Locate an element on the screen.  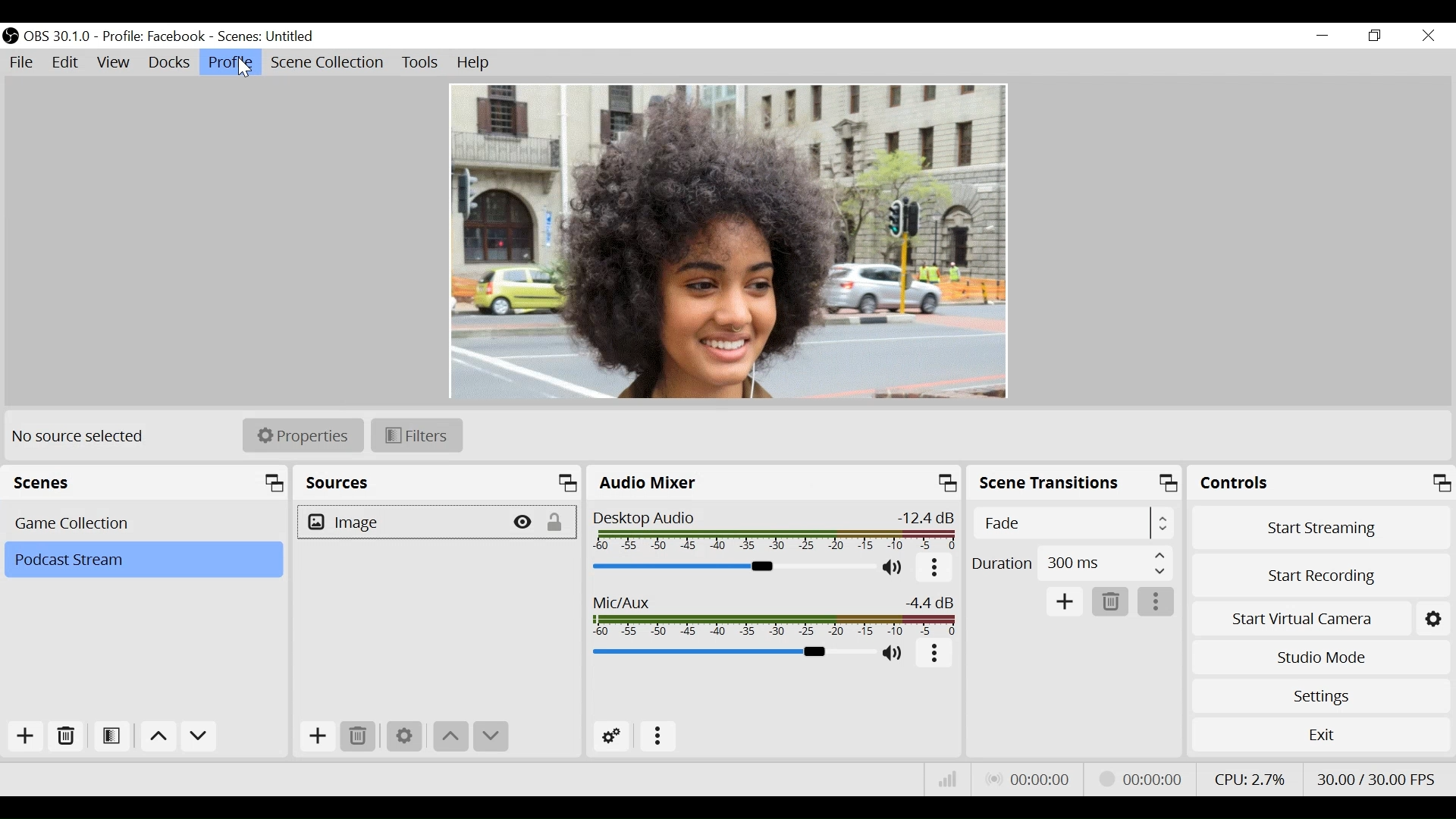
Scene  is located at coordinates (142, 560).